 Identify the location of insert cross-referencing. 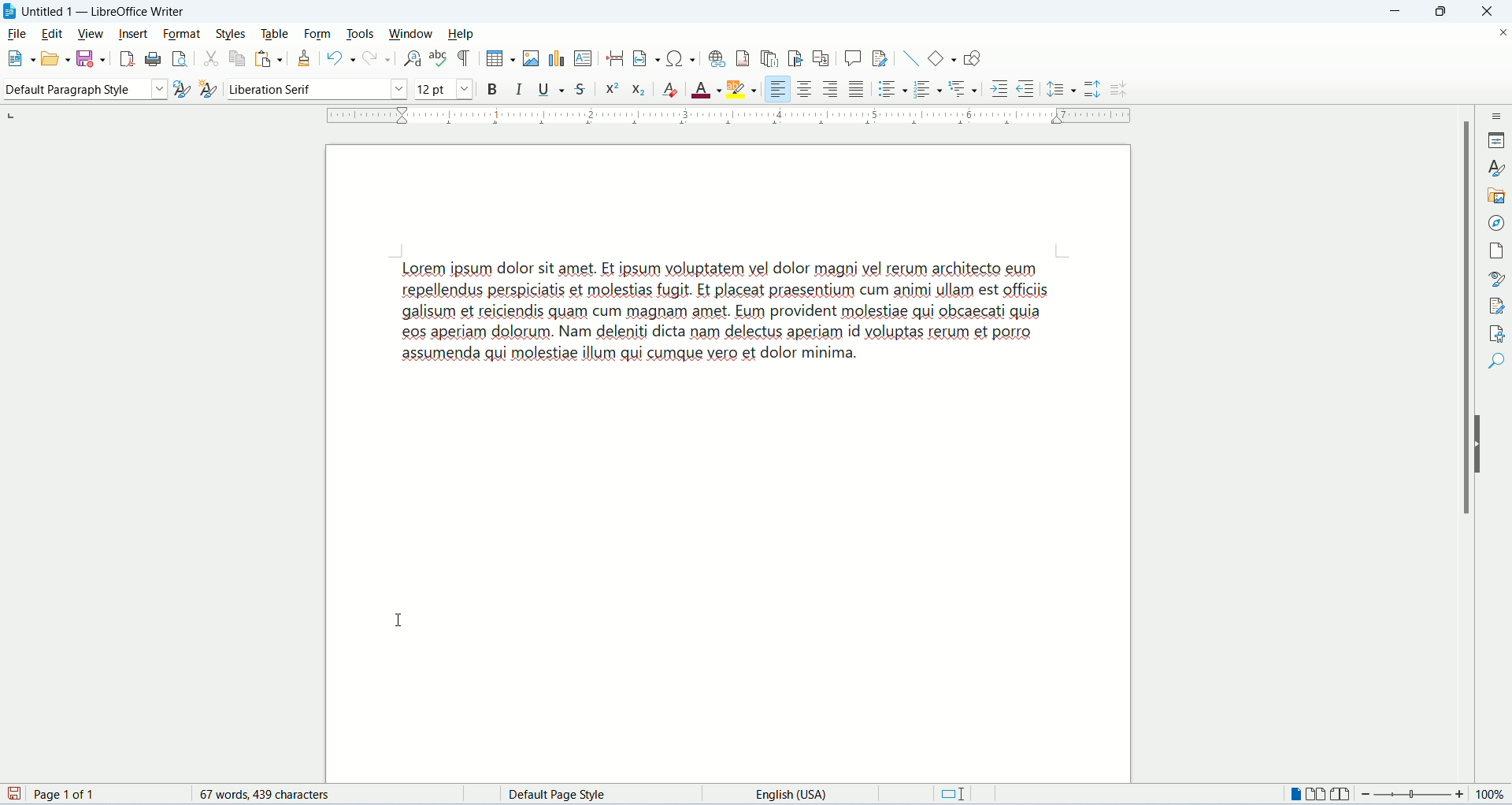
(824, 59).